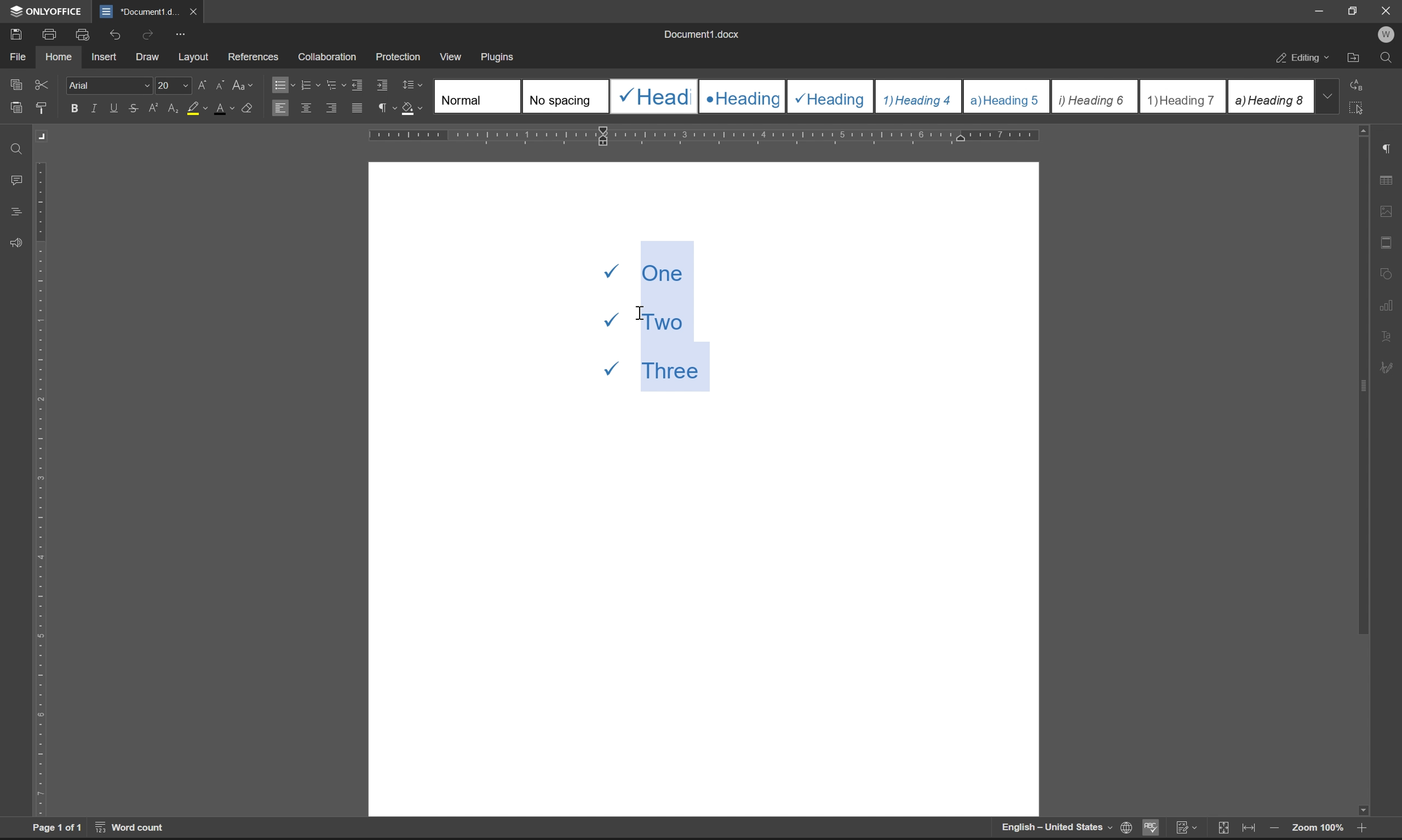 This screenshot has height=840, width=1402. What do you see at coordinates (410, 106) in the screenshot?
I see `shading` at bounding box center [410, 106].